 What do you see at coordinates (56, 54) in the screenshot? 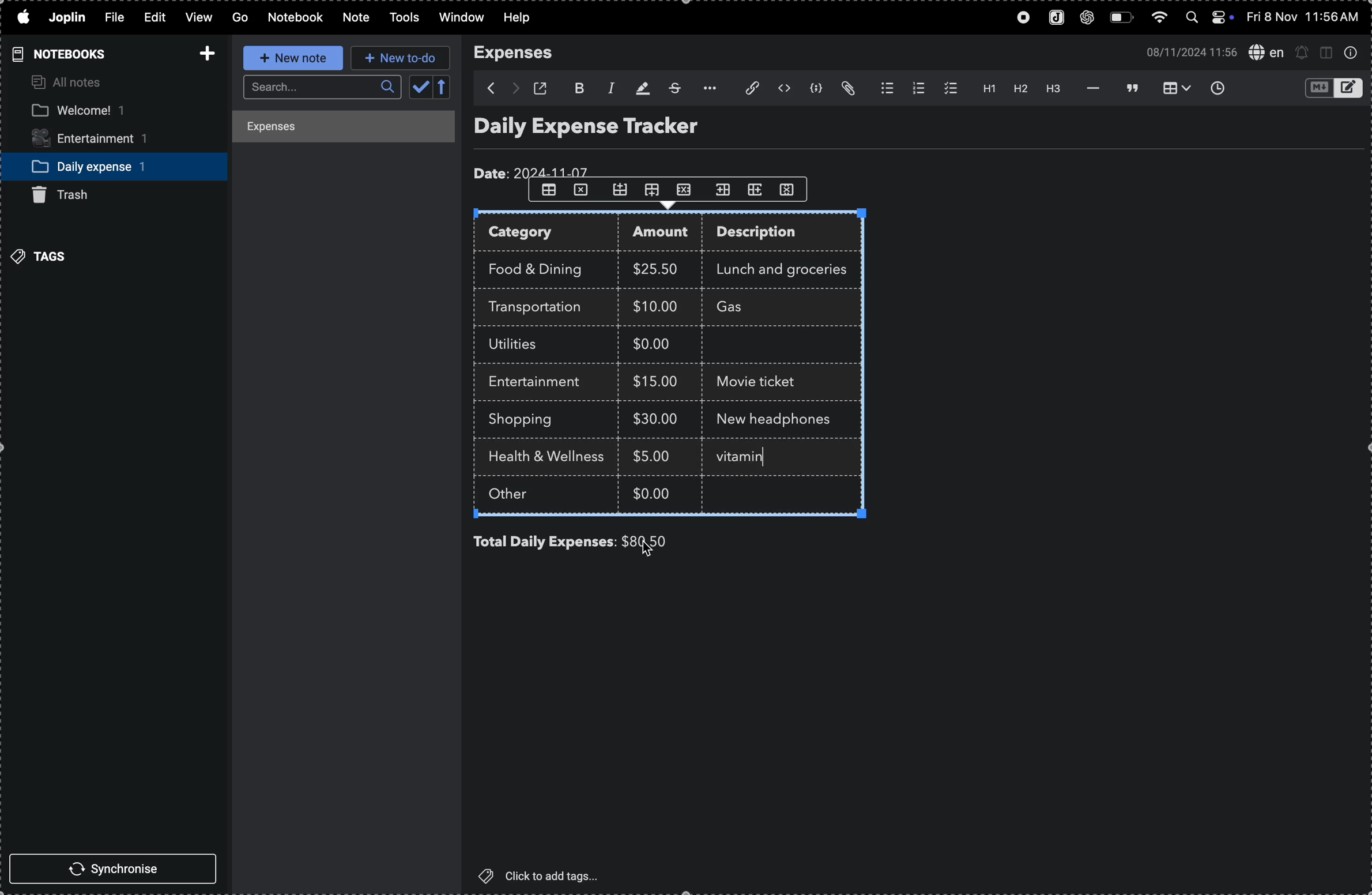
I see `notebooks` at bounding box center [56, 54].